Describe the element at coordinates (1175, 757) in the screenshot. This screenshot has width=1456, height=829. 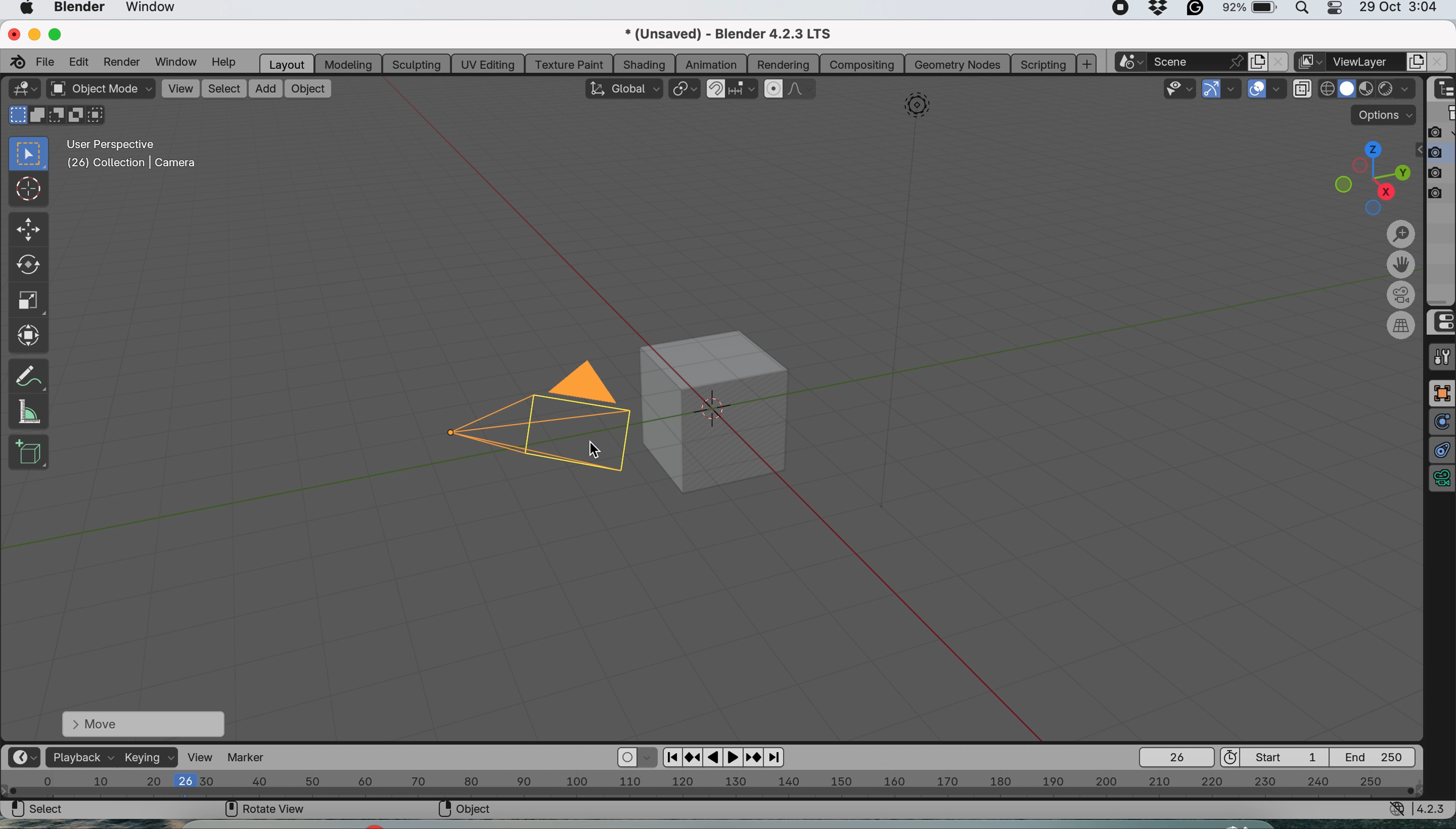
I see `current frame` at that location.